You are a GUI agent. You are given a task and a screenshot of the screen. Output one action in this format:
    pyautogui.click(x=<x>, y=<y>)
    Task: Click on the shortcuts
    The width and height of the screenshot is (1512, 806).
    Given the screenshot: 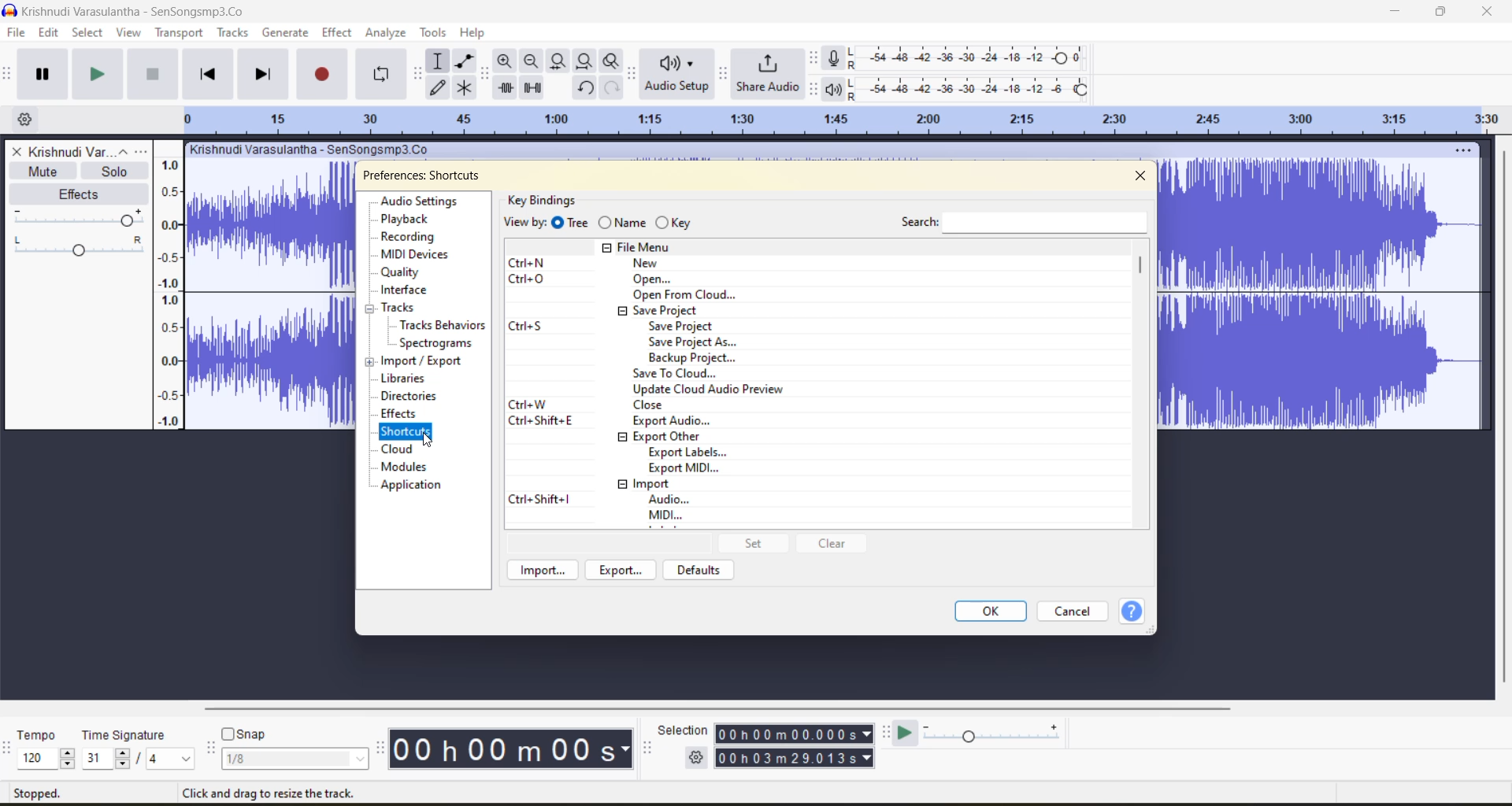 What is the action you would take?
    pyautogui.click(x=420, y=432)
    